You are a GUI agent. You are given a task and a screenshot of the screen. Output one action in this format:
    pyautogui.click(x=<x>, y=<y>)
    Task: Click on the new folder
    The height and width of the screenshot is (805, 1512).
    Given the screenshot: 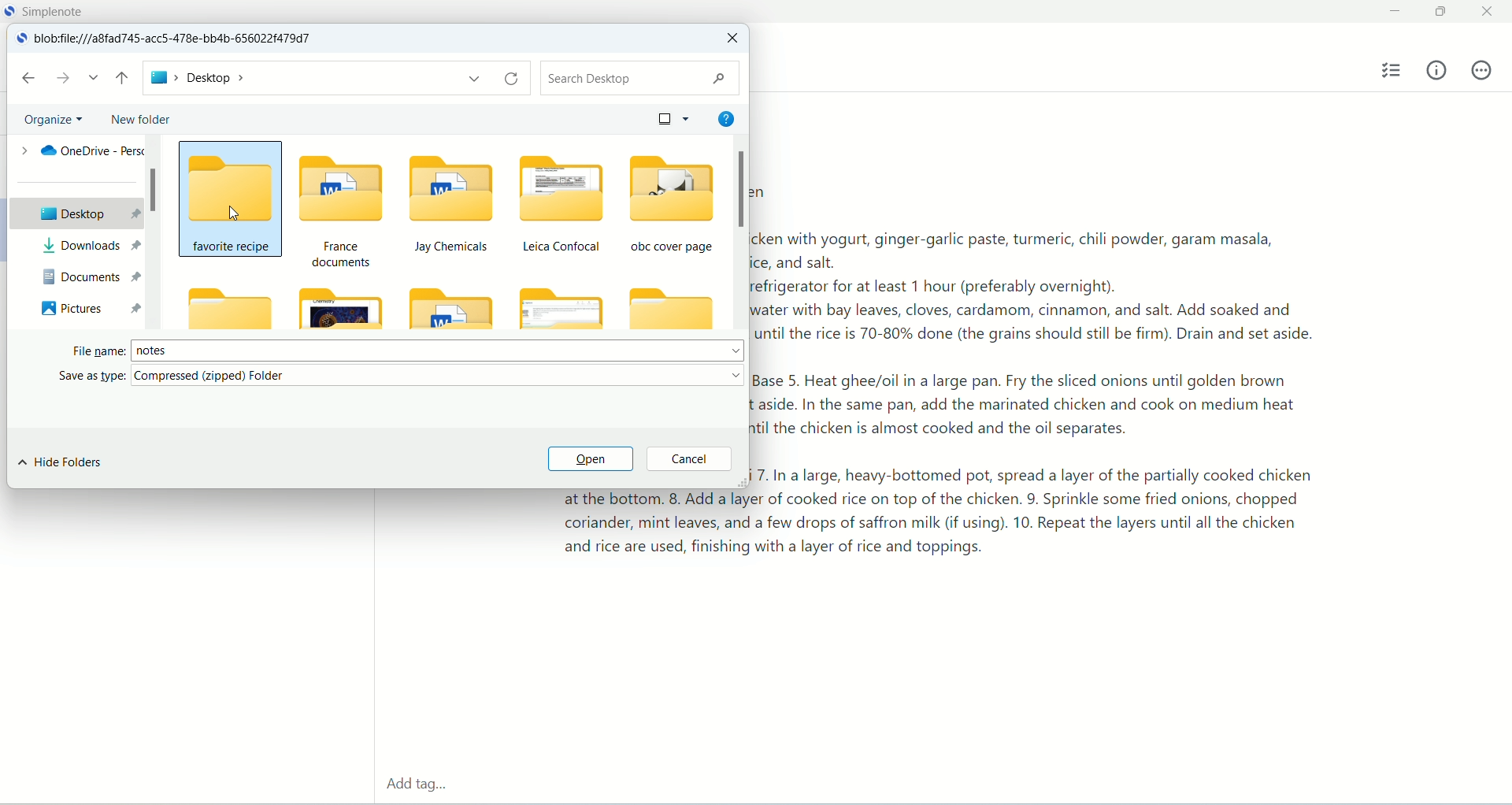 What is the action you would take?
    pyautogui.click(x=139, y=120)
    